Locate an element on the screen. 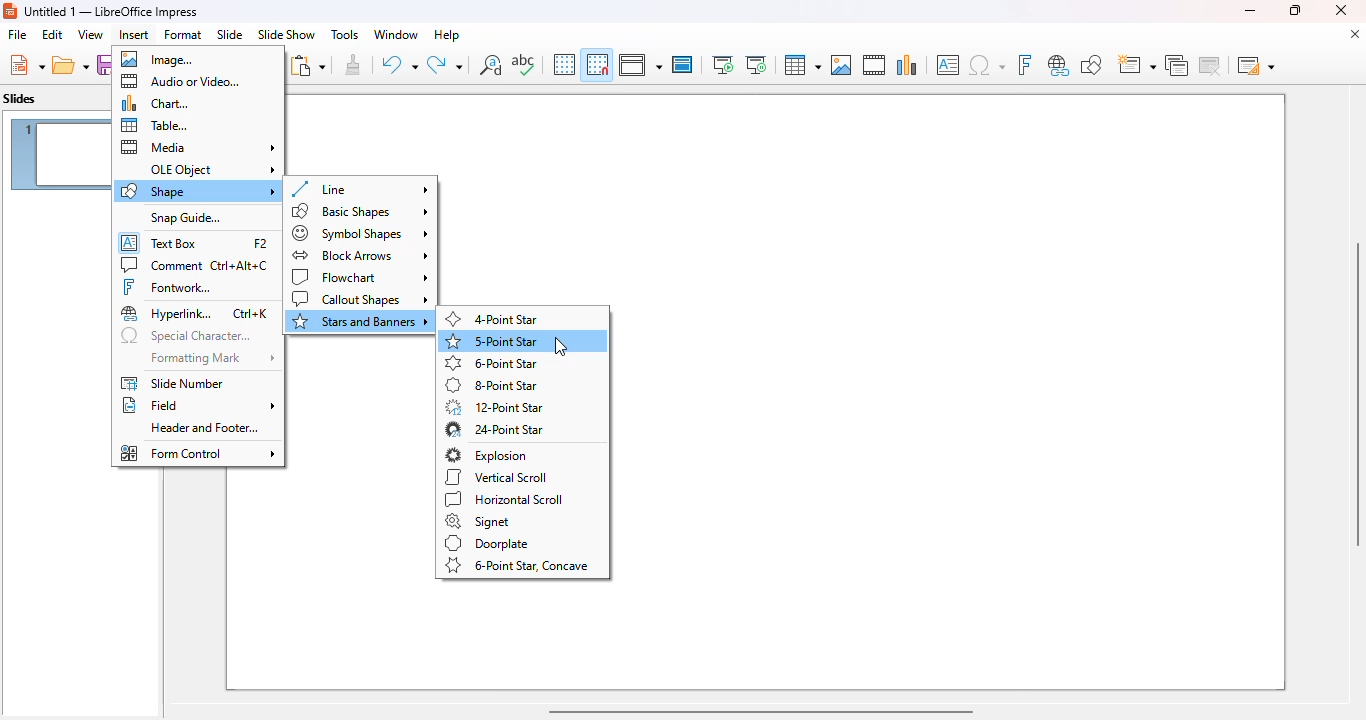 This screenshot has width=1366, height=720. edit is located at coordinates (52, 34).